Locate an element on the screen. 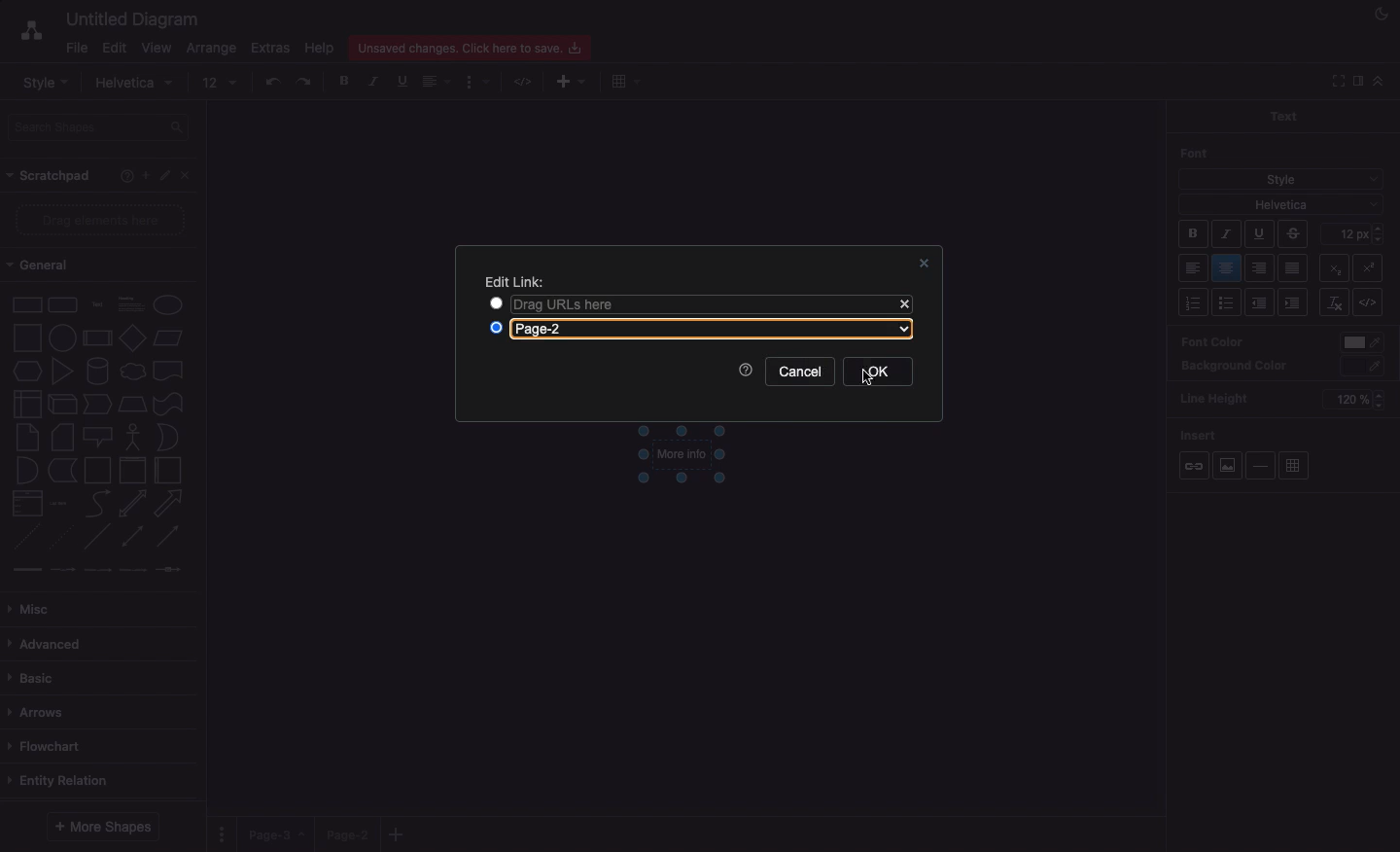 Image resolution: width=1400 pixels, height=852 pixels. internal storage is located at coordinates (28, 404).